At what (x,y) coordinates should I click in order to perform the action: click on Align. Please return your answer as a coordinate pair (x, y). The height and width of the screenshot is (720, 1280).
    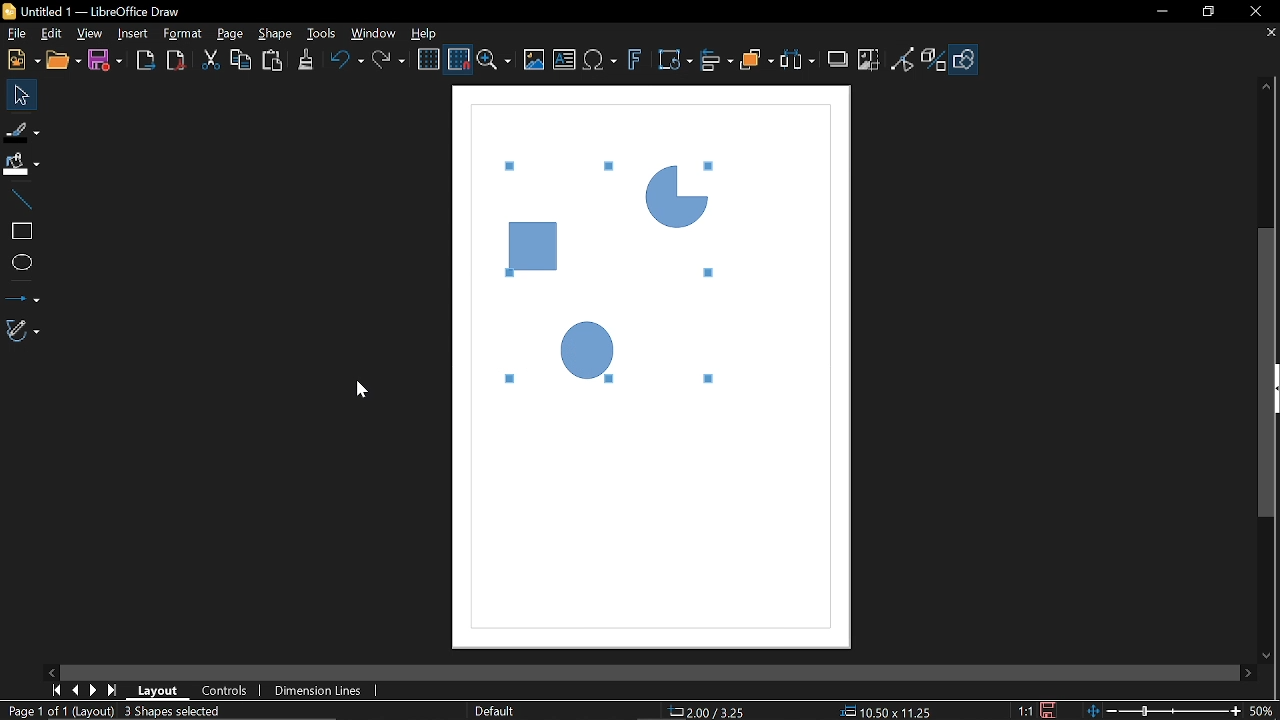
    Looking at the image, I should click on (716, 63).